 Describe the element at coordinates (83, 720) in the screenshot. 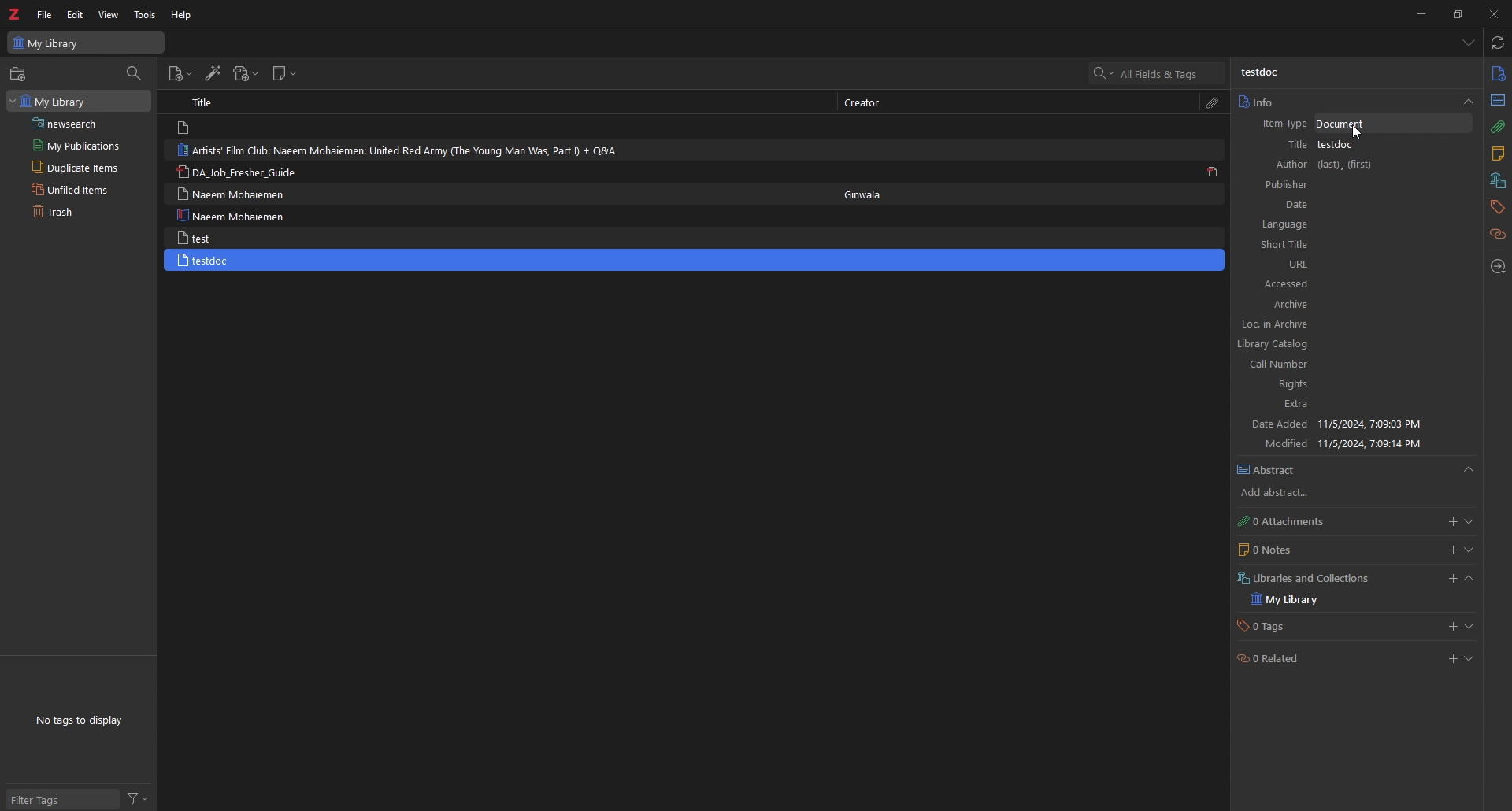

I see `No tags to display` at that location.